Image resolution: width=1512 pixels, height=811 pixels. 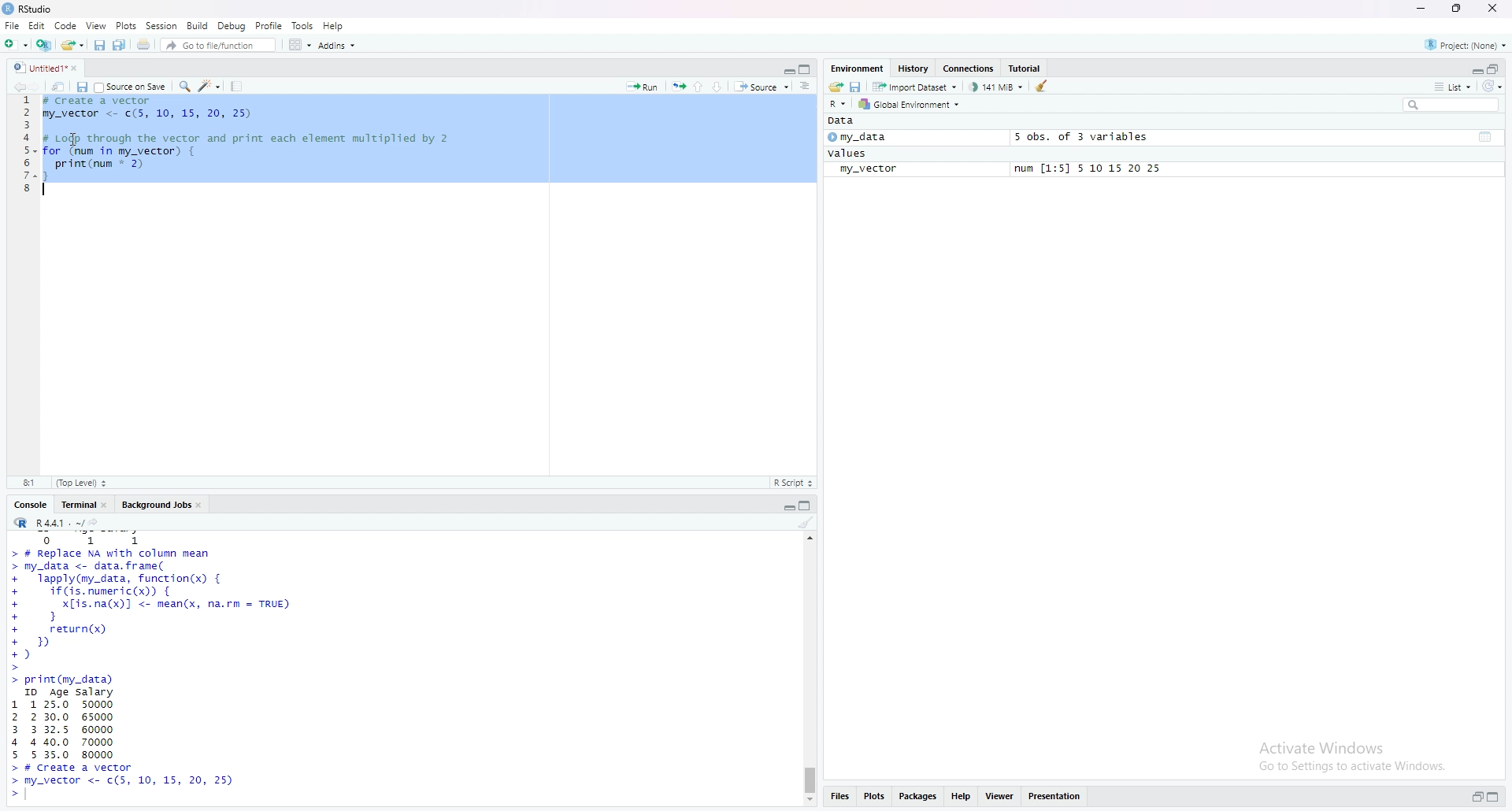 I want to click on save workspace, so click(x=857, y=87).